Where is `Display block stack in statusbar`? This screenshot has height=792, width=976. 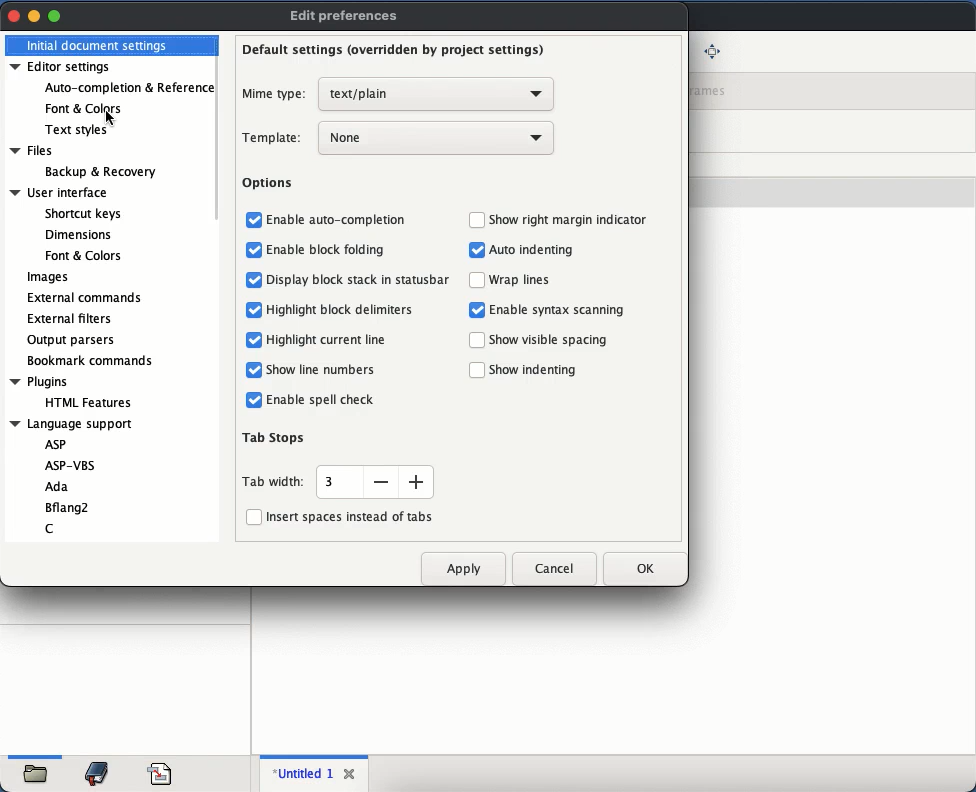
Display block stack in statusbar is located at coordinates (359, 278).